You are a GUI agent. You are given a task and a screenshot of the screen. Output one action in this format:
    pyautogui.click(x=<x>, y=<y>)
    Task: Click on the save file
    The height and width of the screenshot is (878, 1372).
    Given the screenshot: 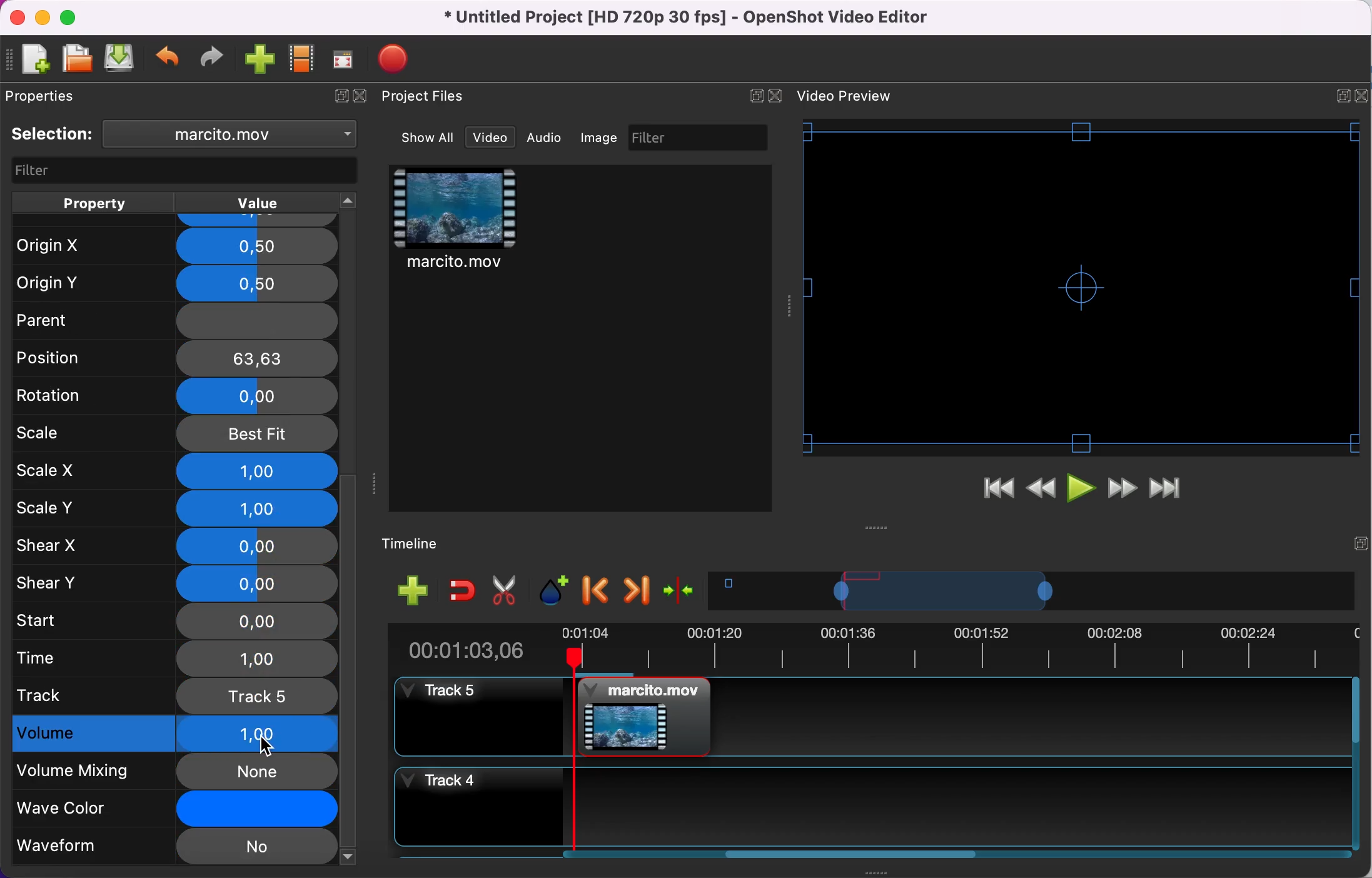 What is the action you would take?
    pyautogui.click(x=121, y=58)
    